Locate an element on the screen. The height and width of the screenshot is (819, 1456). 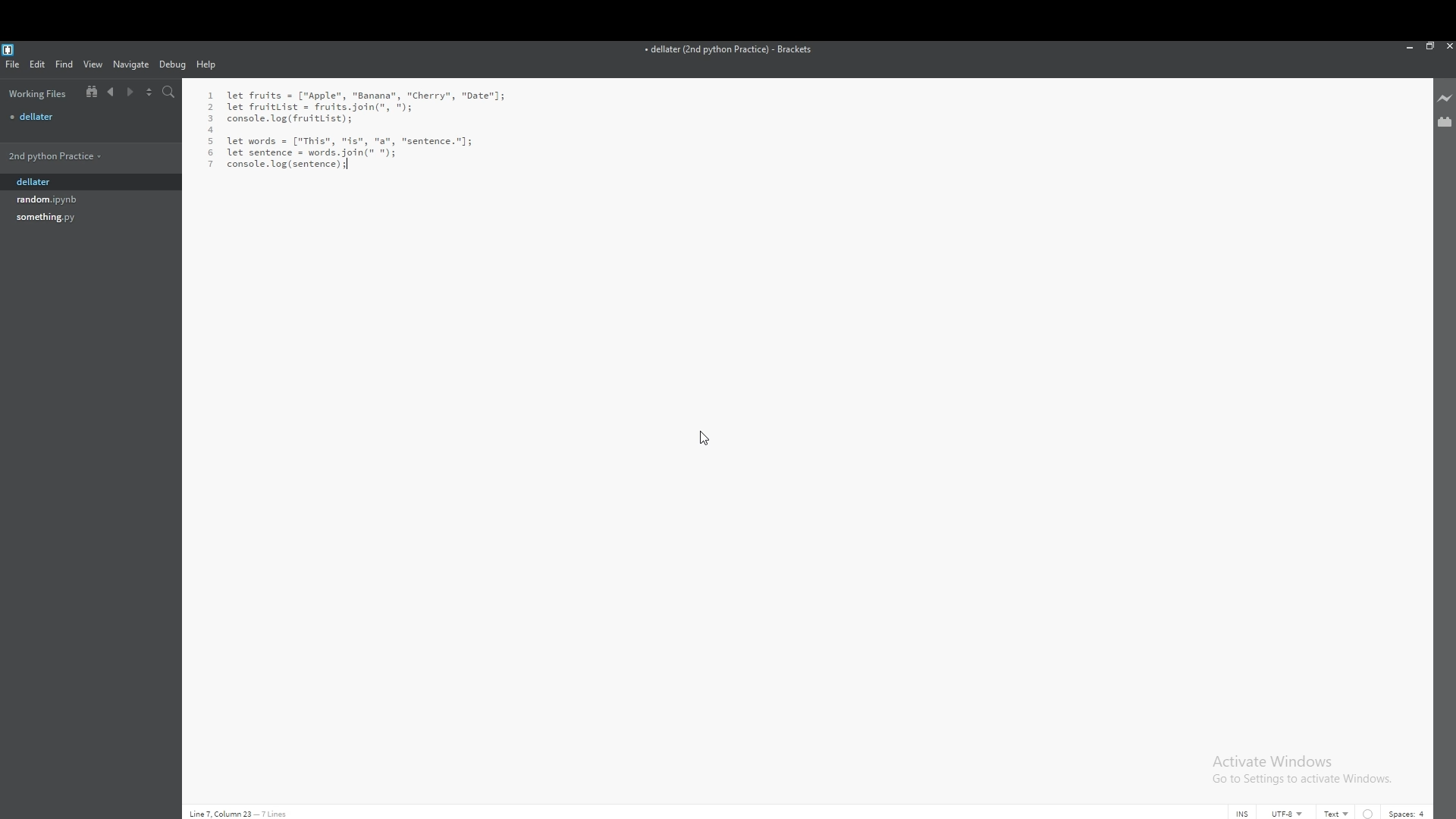
live preview is located at coordinates (1444, 99).